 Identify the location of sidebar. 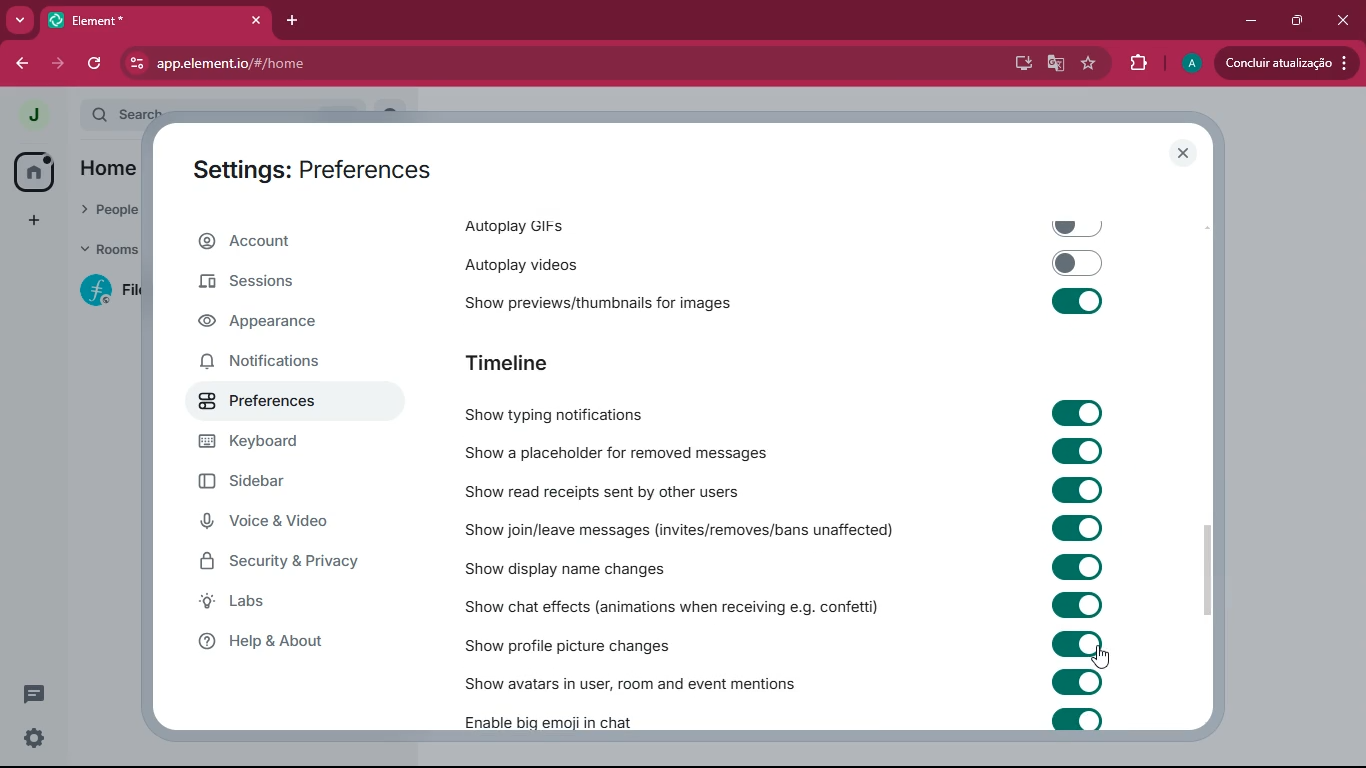
(284, 485).